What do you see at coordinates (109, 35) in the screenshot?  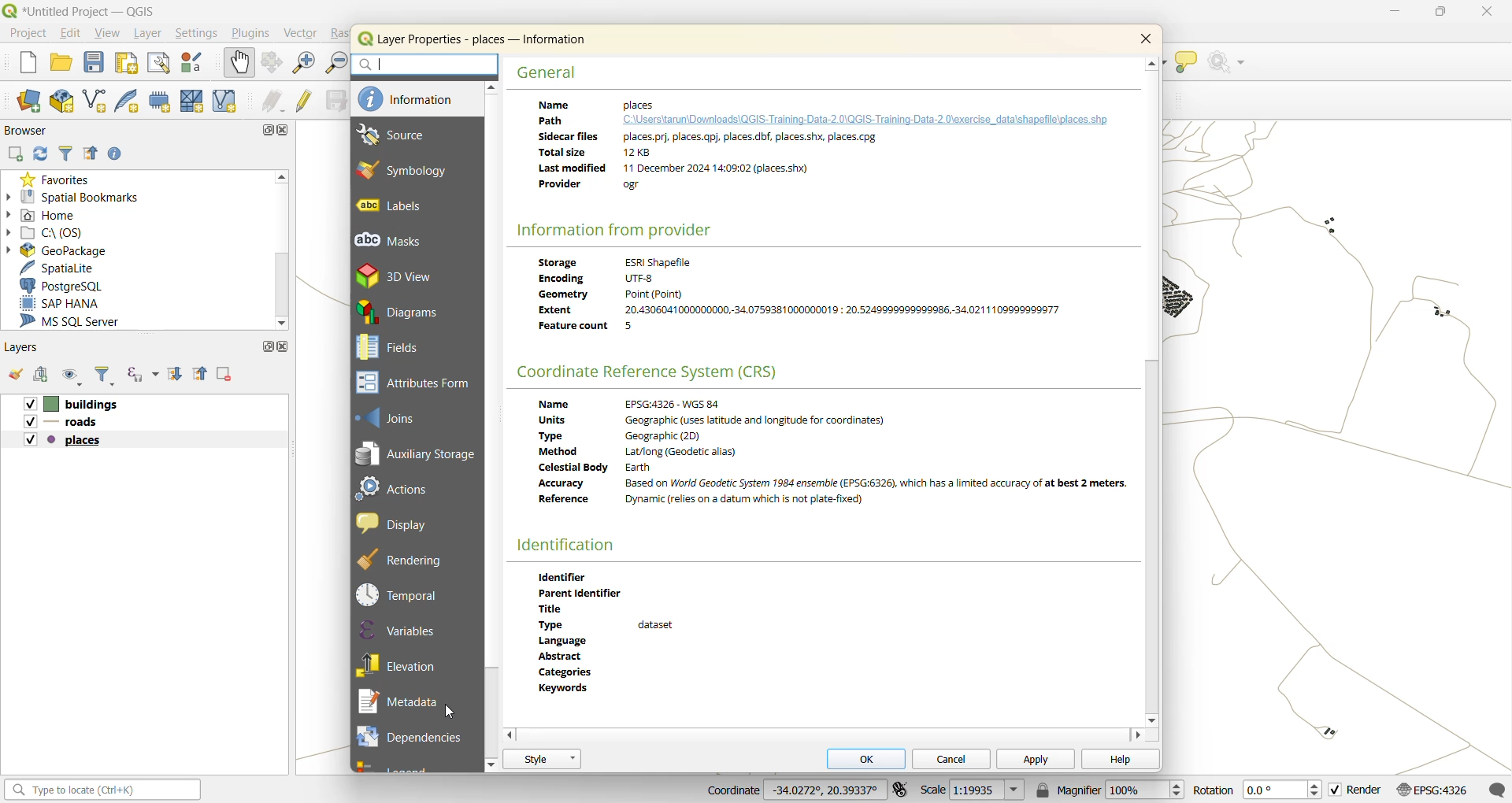 I see `view` at bounding box center [109, 35].